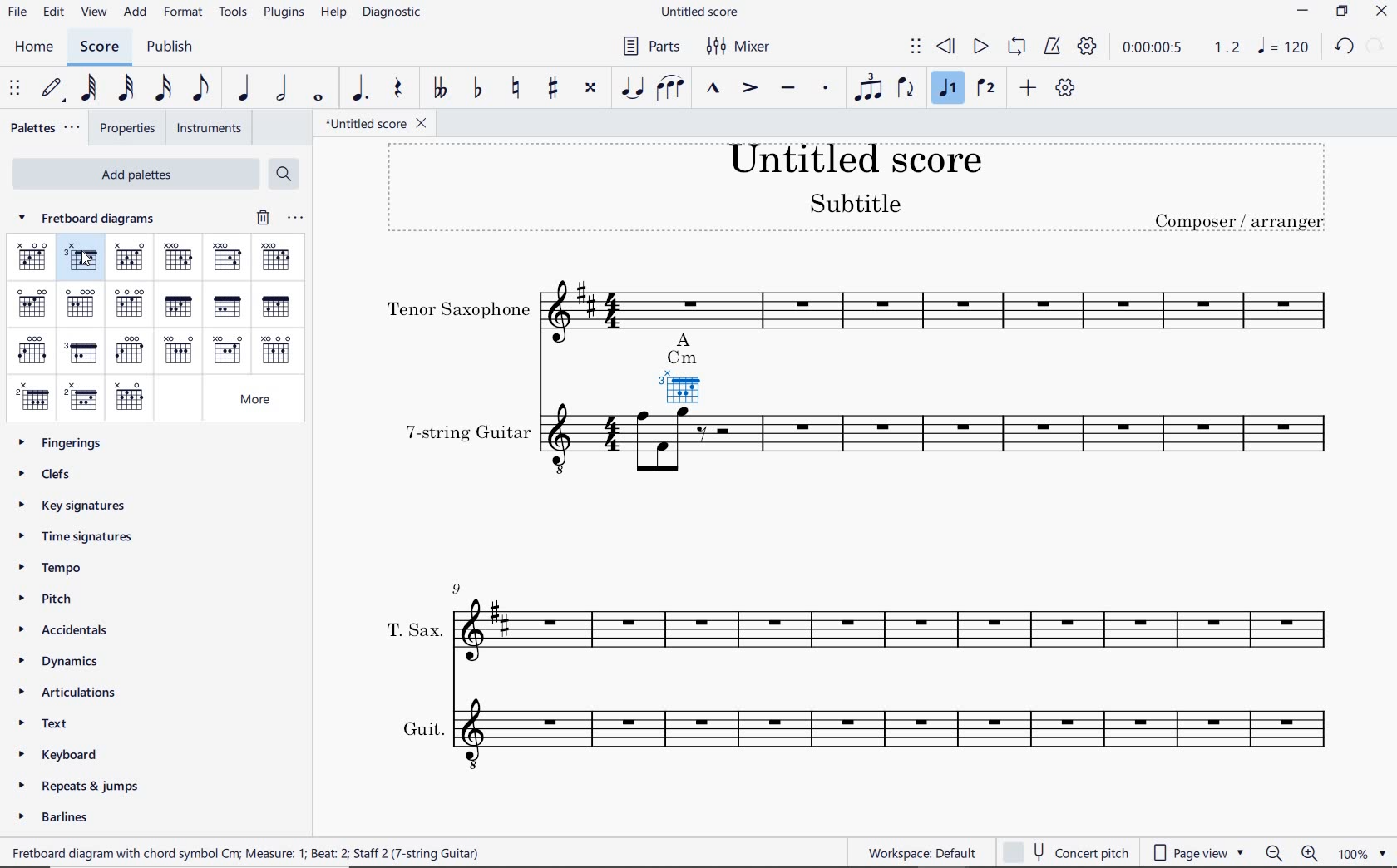  What do you see at coordinates (277, 308) in the screenshot?
I see `F7` at bounding box center [277, 308].